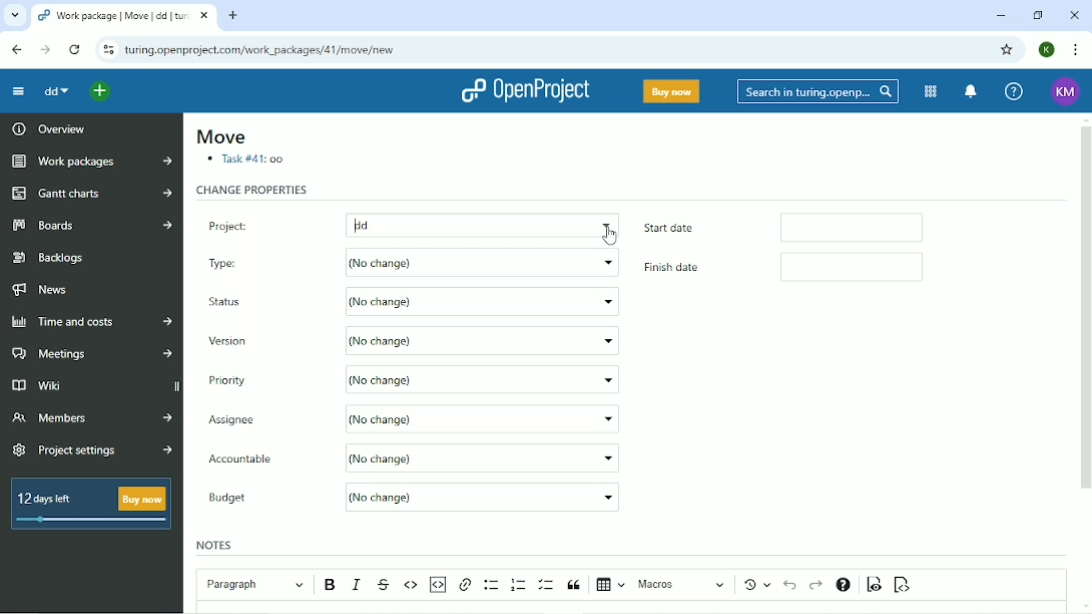 This screenshot has height=614, width=1092. What do you see at coordinates (92, 354) in the screenshot?
I see `Meetings` at bounding box center [92, 354].